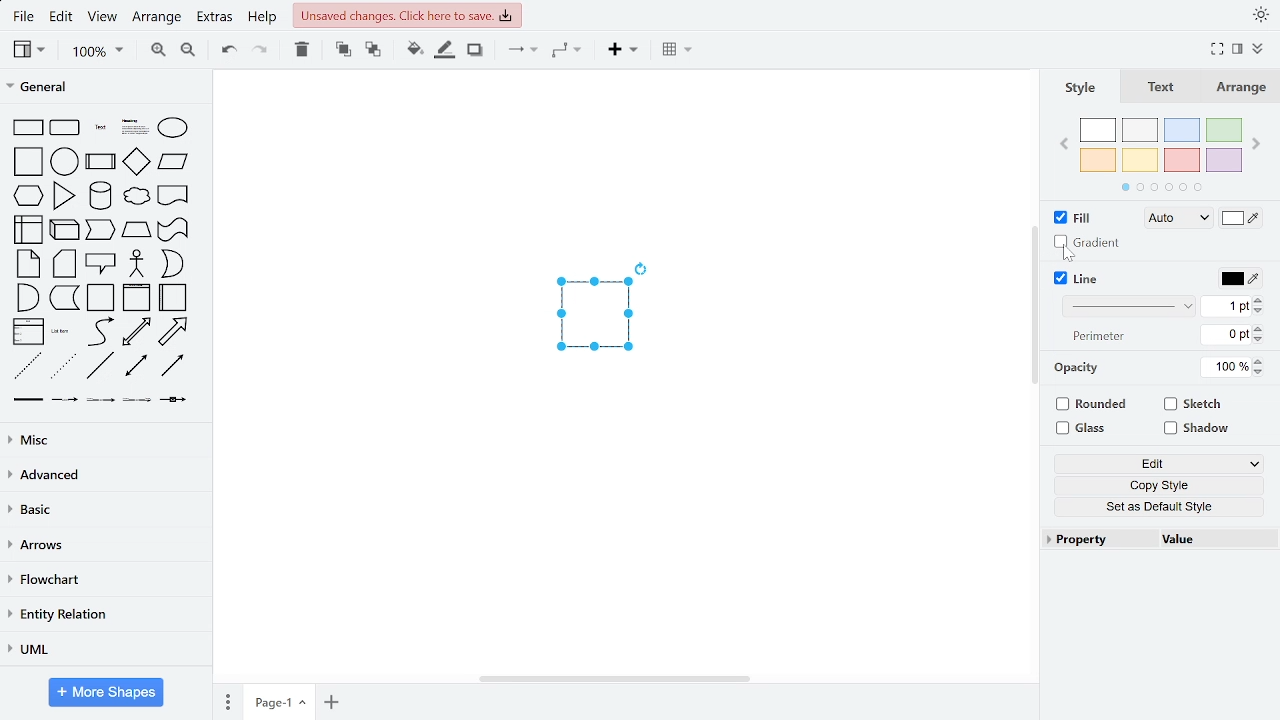 The height and width of the screenshot is (720, 1280). What do you see at coordinates (1259, 146) in the screenshot?
I see `next` at bounding box center [1259, 146].